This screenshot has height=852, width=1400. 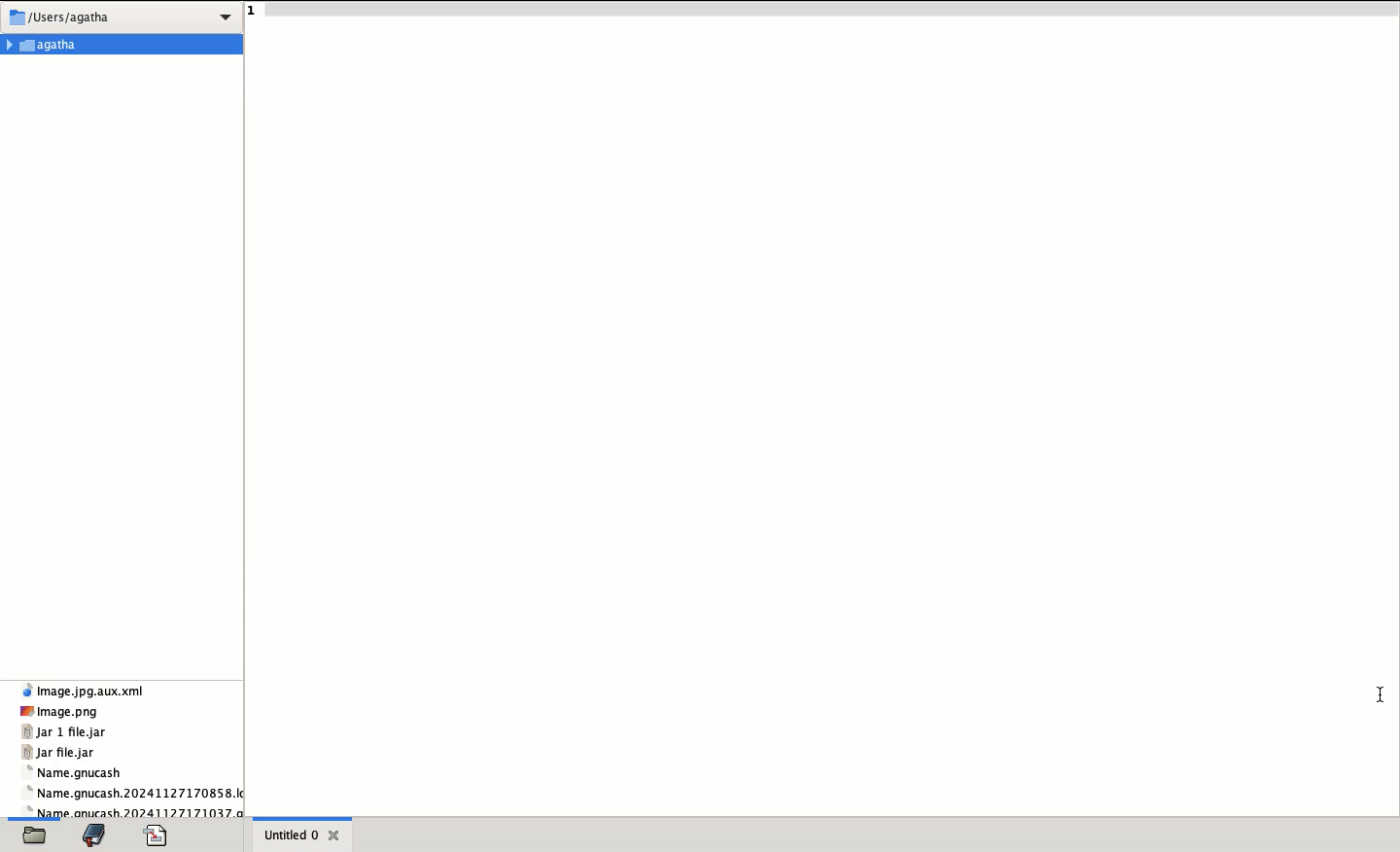 I want to click on jar file.jar, so click(x=56, y=753).